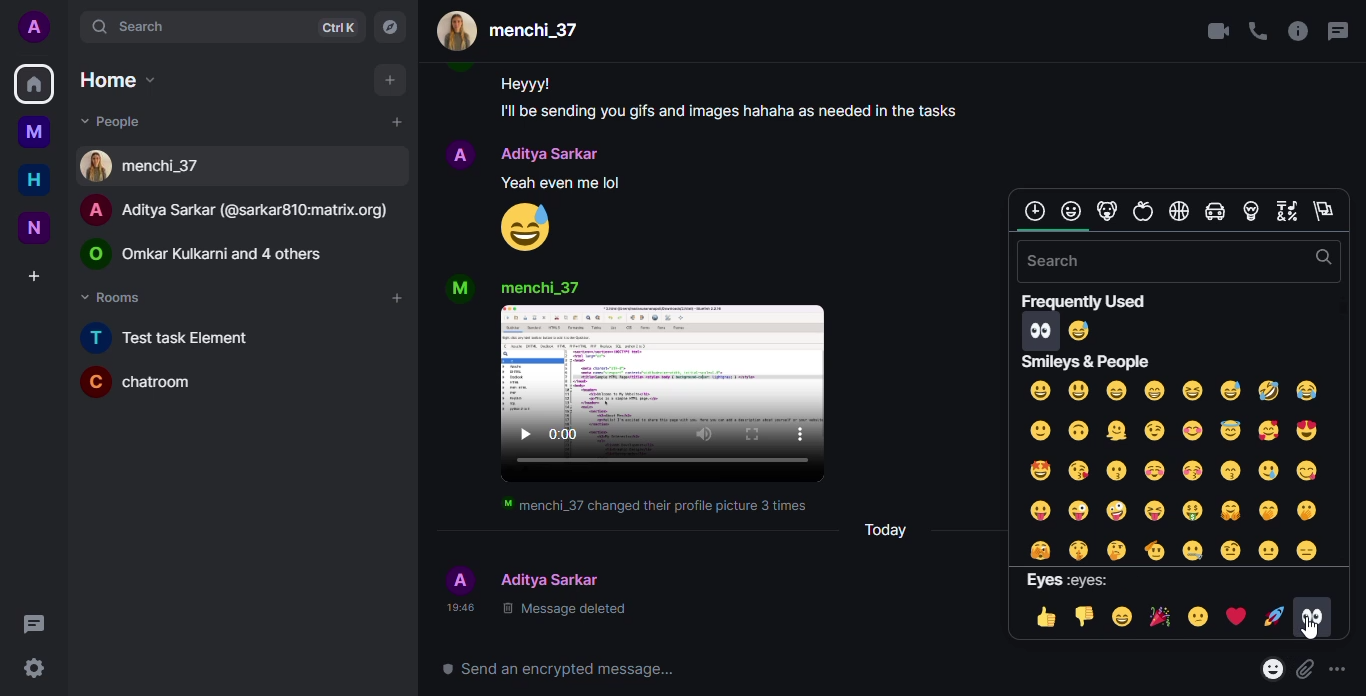 This screenshot has height=696, width=1366. What do you see at coordinates (460, 148) in the screenshot?
I see `profile` at bounding box center [460, 148].